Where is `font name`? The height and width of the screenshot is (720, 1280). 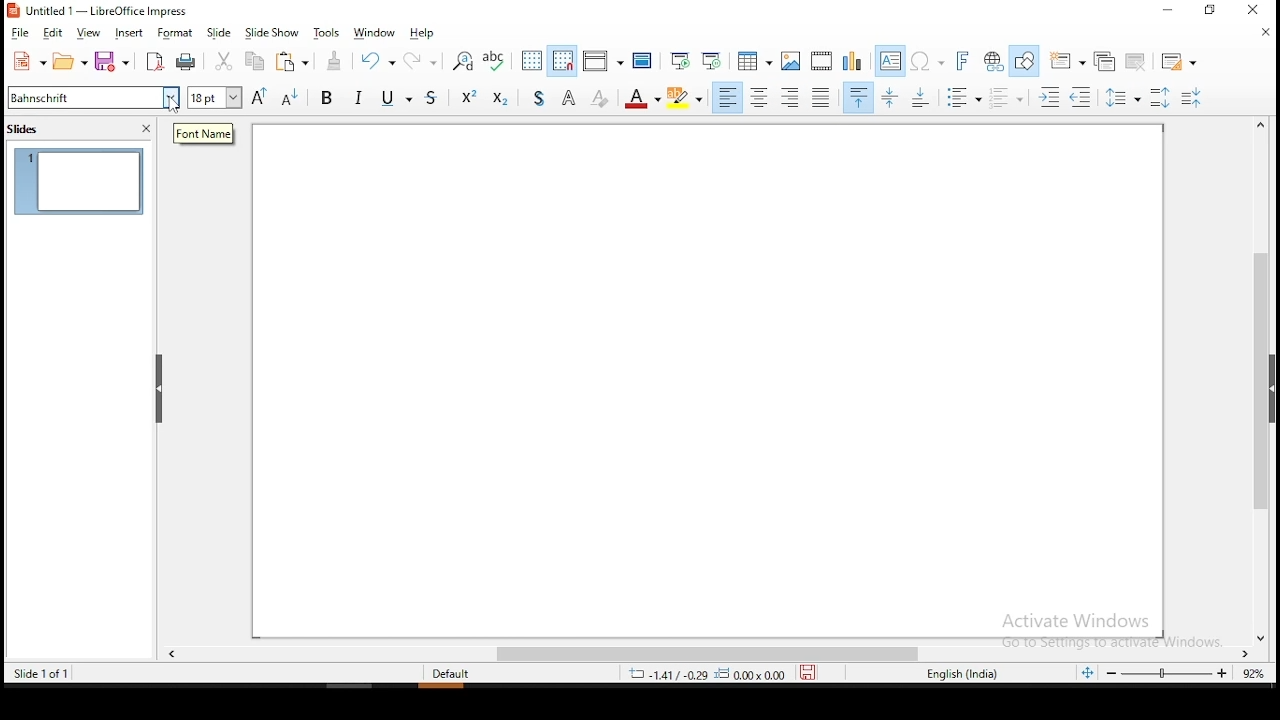 font name is located at coordinates (205, 134).